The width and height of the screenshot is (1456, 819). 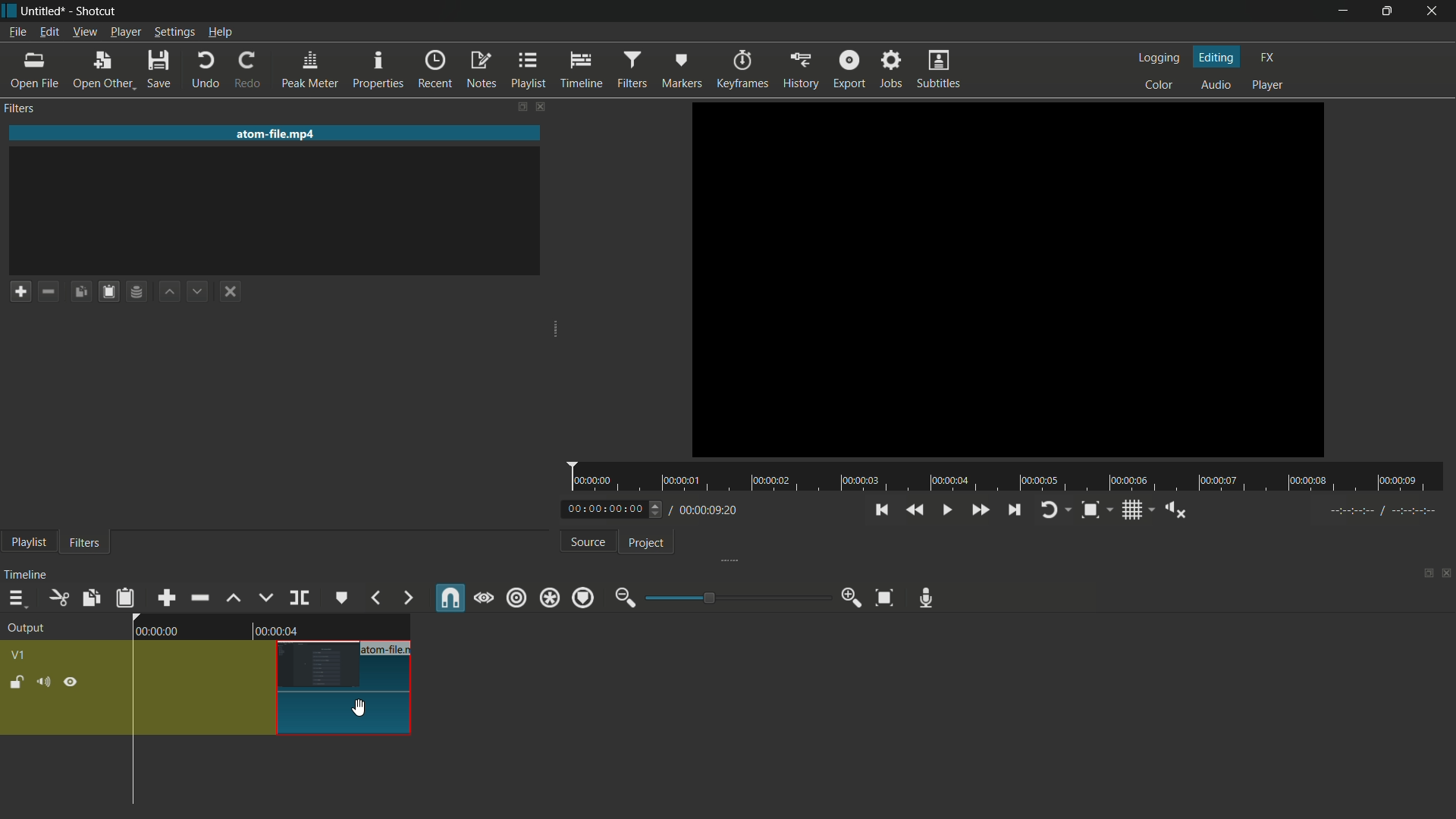 I want to click on zoom timeline to fit, so click(x=885, y=598).